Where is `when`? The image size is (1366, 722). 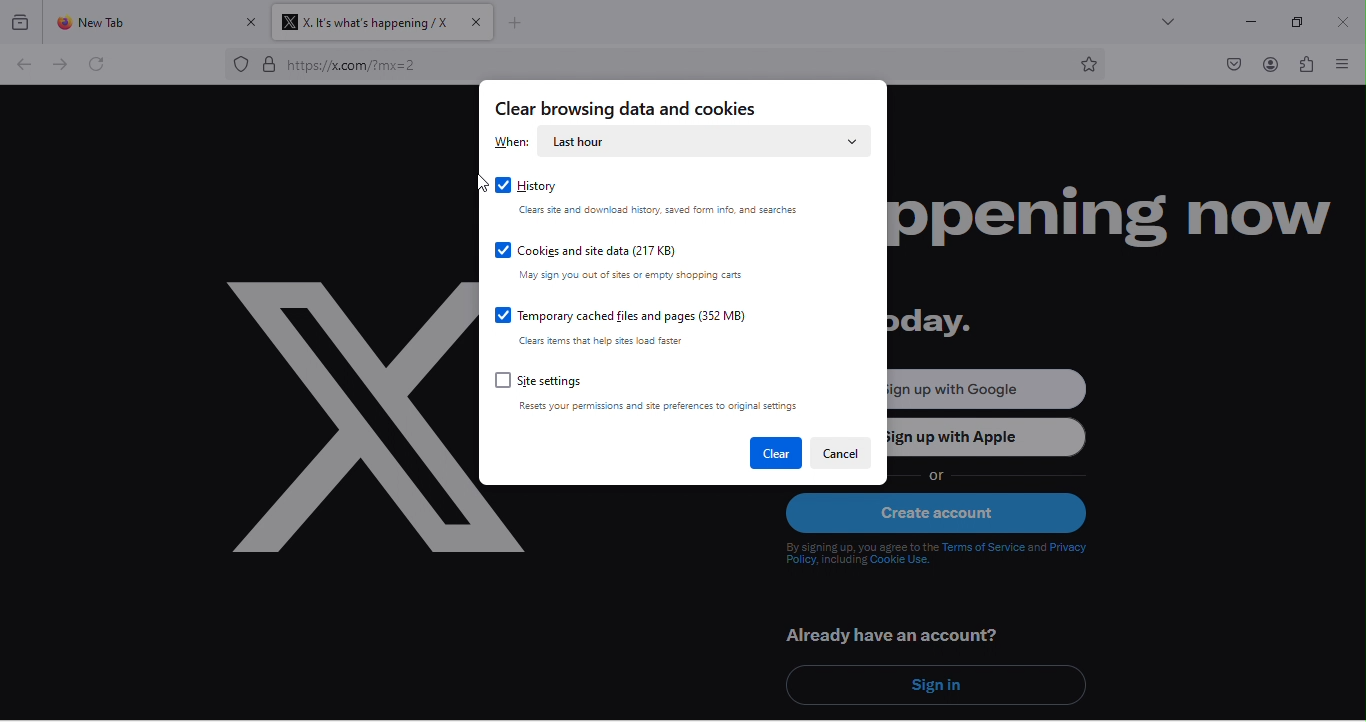
when is located at coordinates (511, 145).